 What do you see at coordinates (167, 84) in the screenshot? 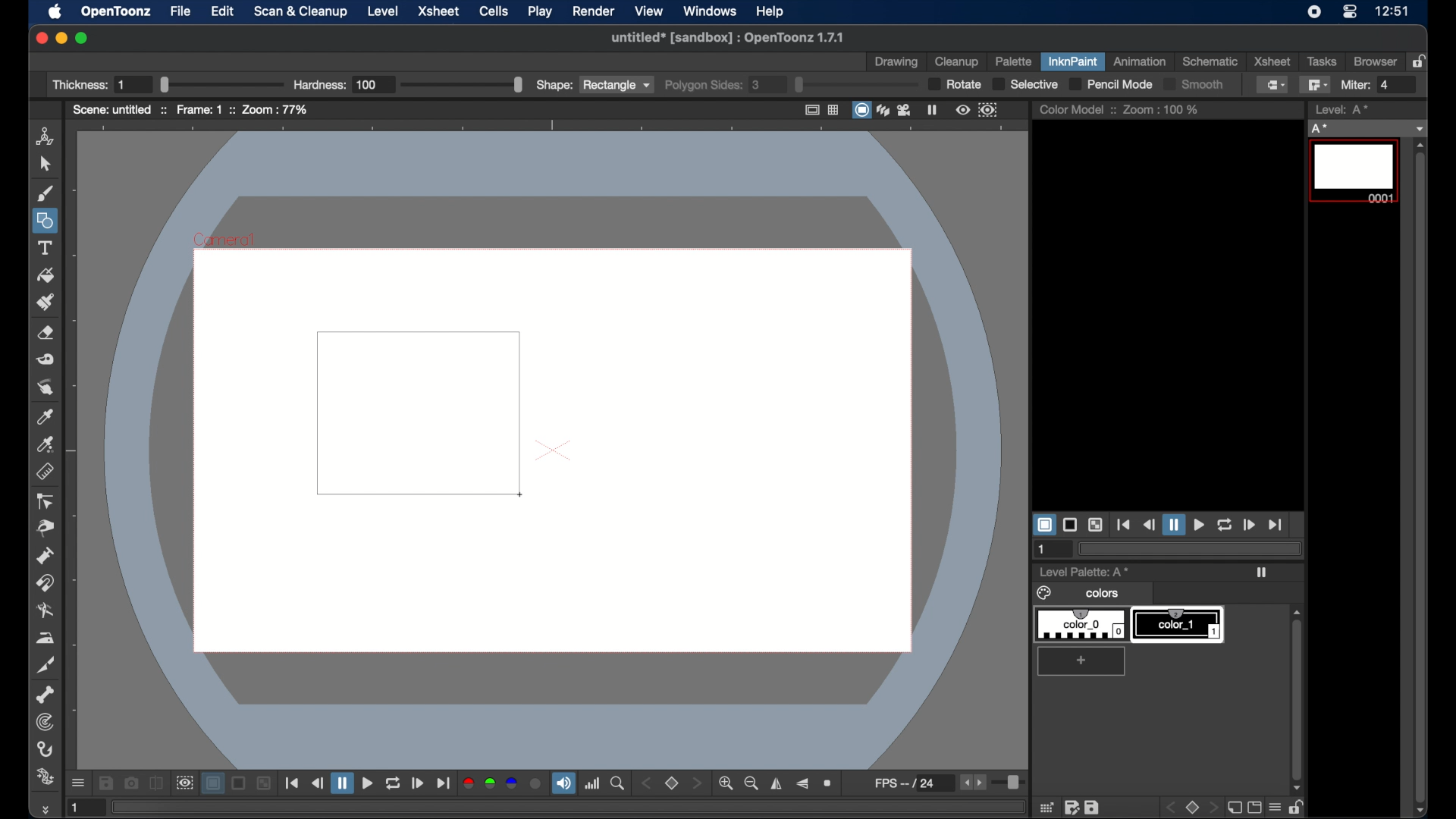
I see `Thickness` at bounding box center [167, 84].